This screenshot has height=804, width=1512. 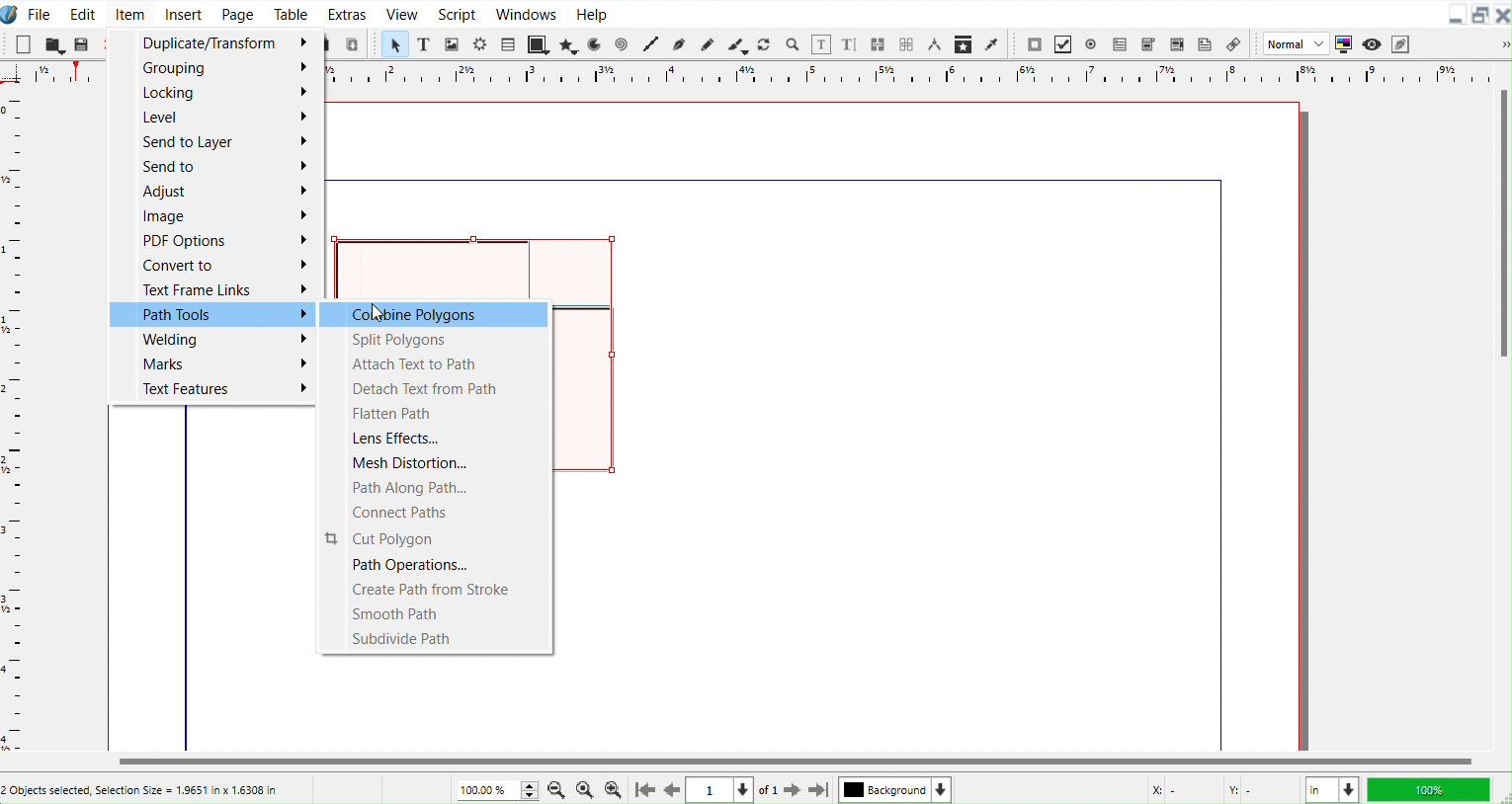 I want to click on Rotate Item, so click(x=765, y=44).